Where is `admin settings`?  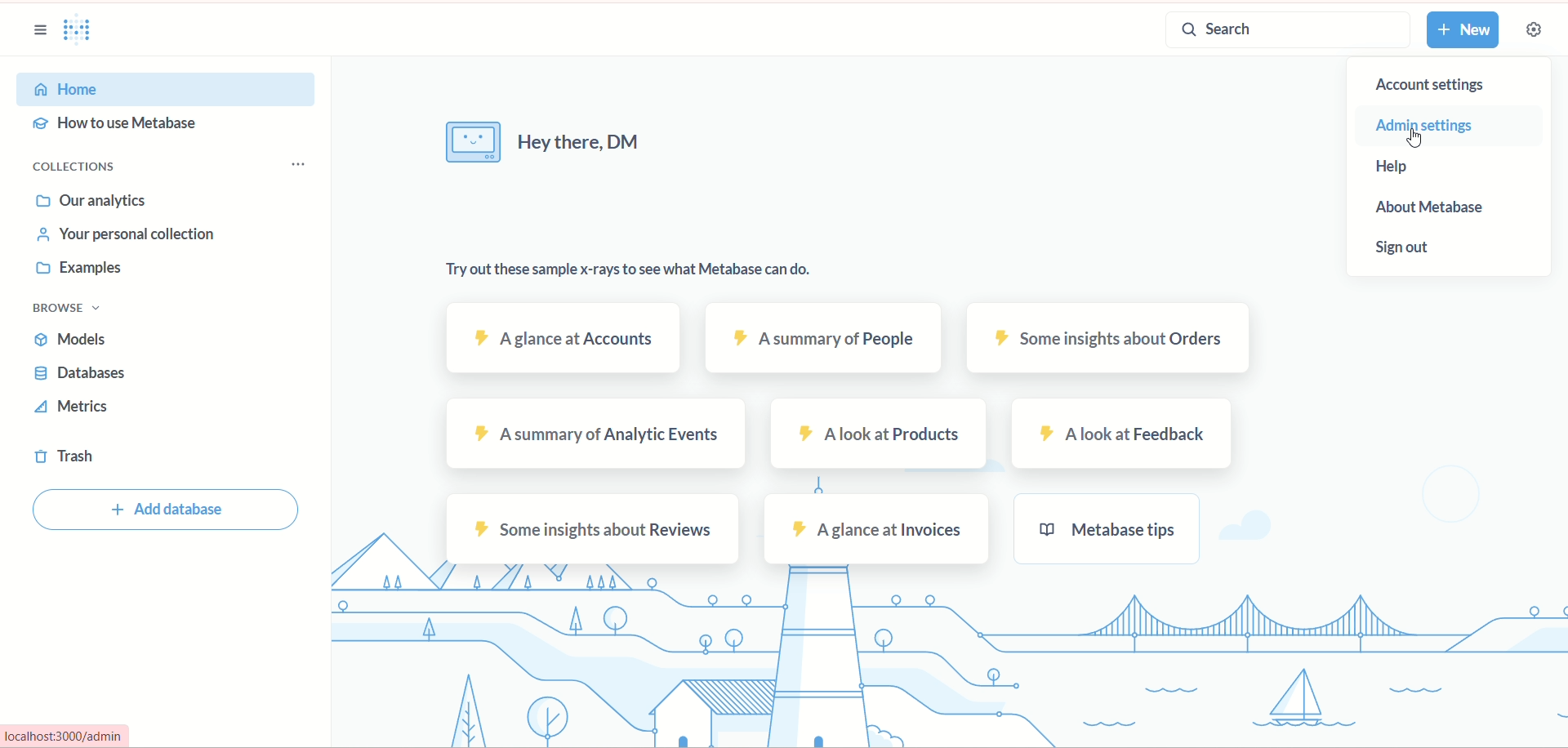 admin settings is located at coordinates (1422, 127).